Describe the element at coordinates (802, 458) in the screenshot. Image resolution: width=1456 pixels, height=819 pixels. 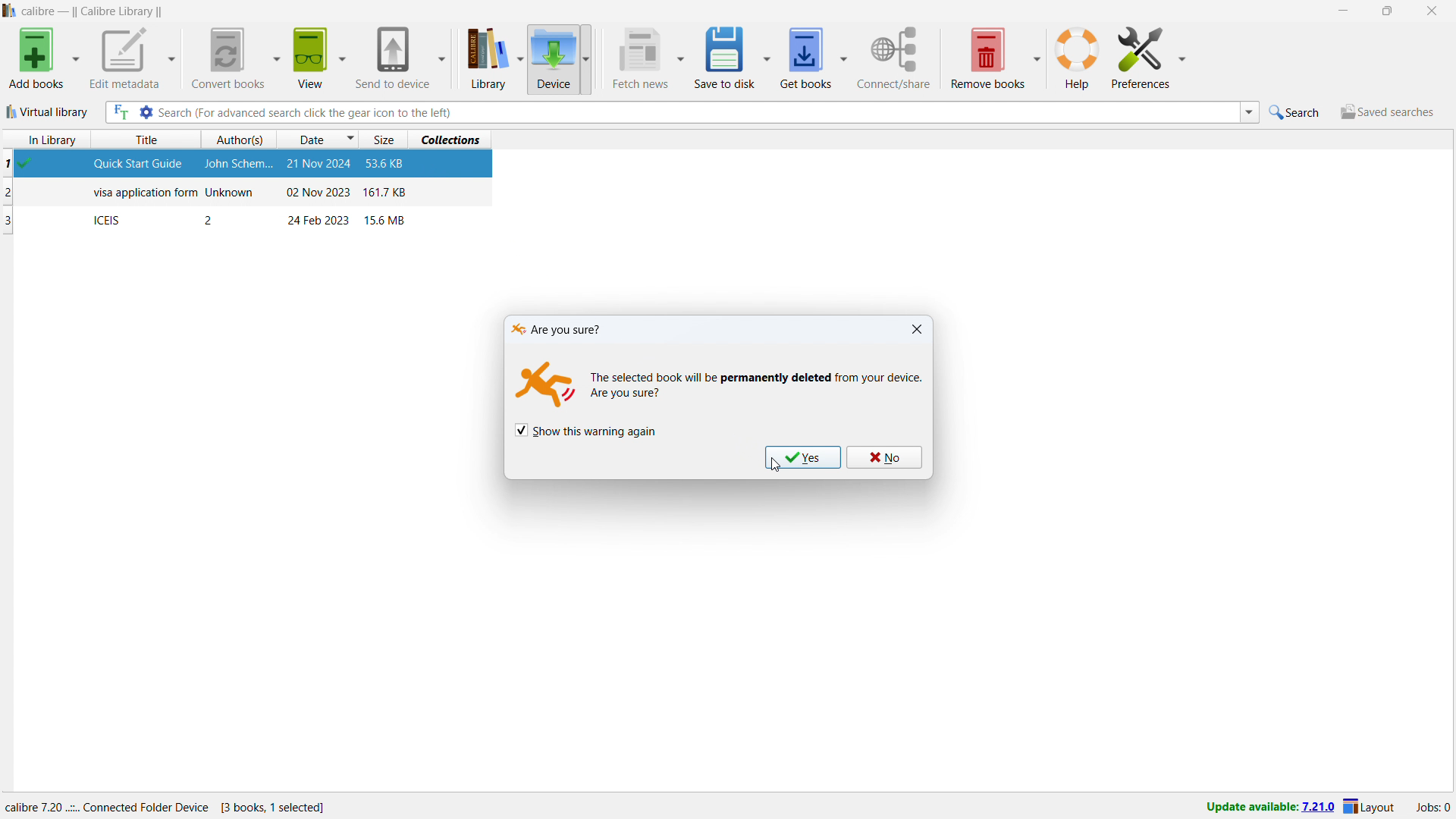
I see `yes` at that location.